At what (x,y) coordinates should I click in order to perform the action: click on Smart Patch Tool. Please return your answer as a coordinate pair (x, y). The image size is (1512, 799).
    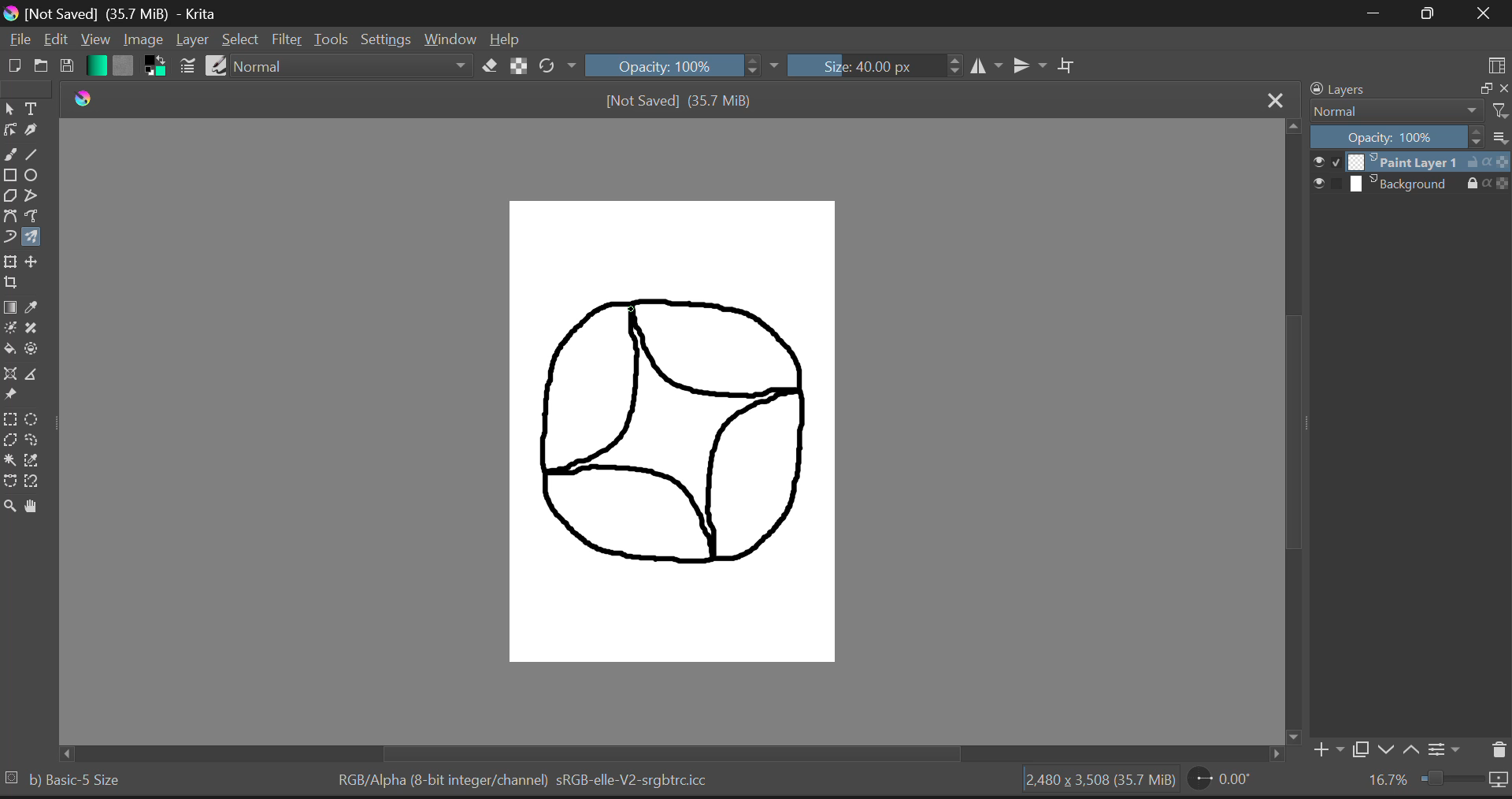
    Looking at the image, I should click on (36, 328).